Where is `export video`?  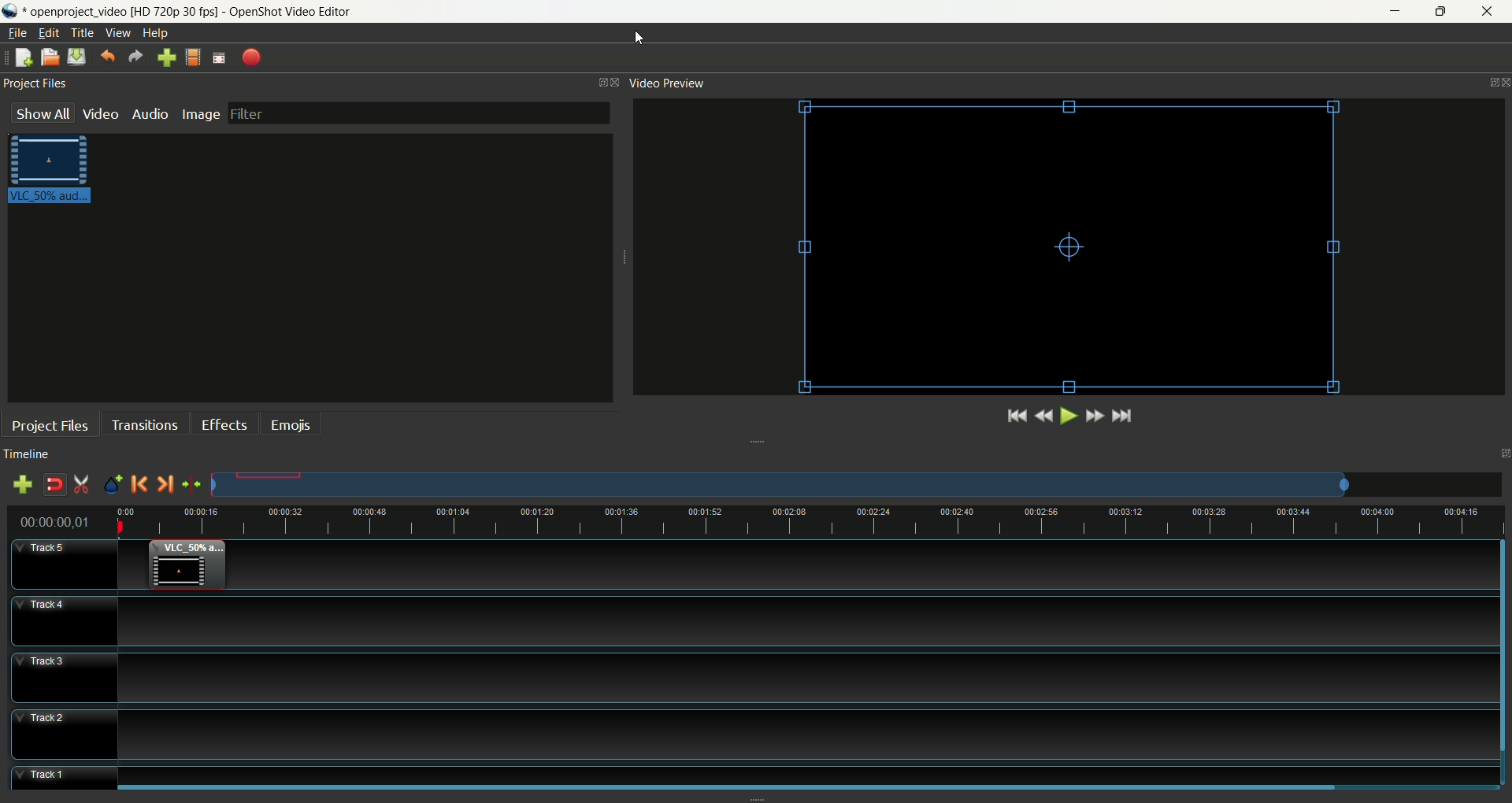 export video is located at coordinates (250, 57).